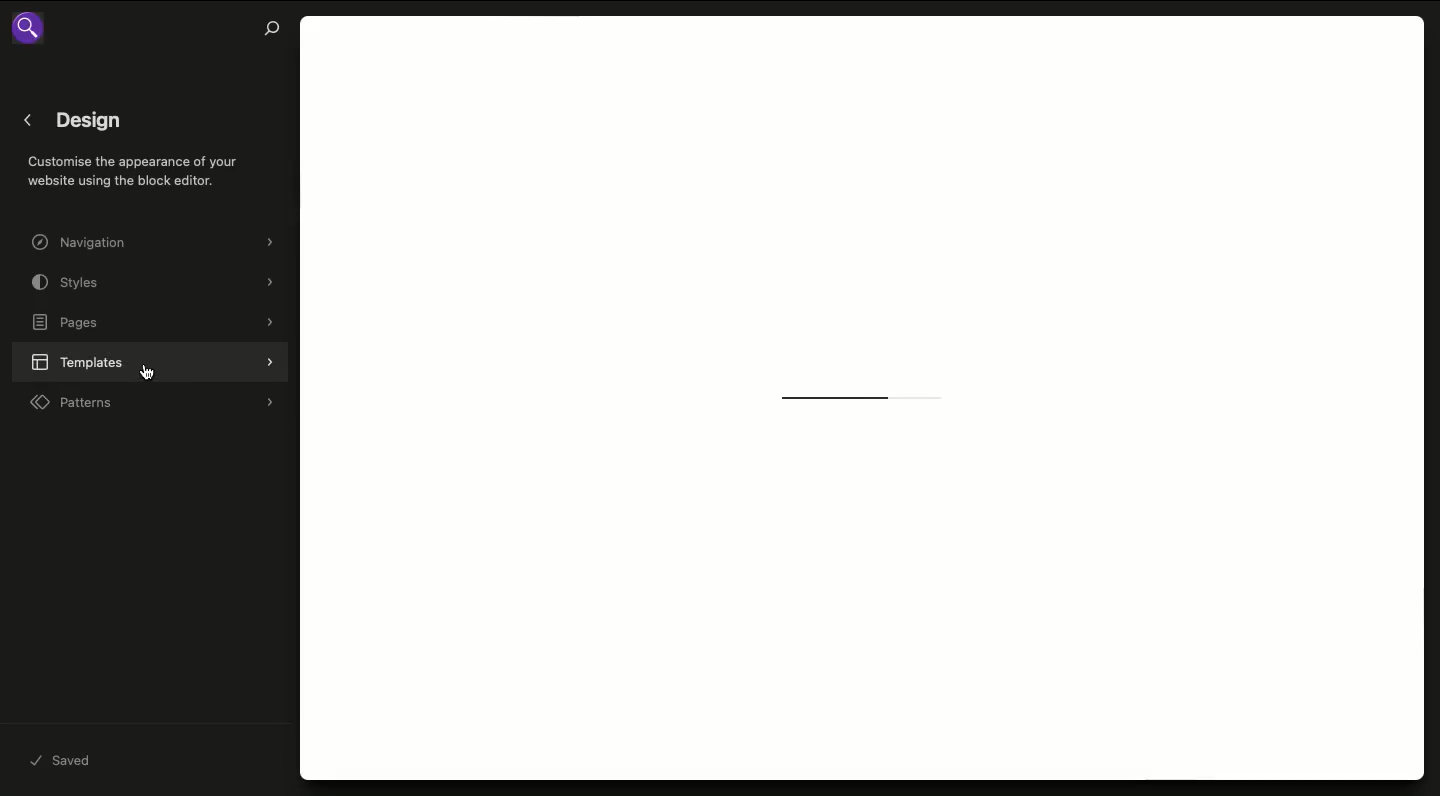  Describe the element at coordinates (159, 242) in the screenshot. I see `Navigation` at that location.